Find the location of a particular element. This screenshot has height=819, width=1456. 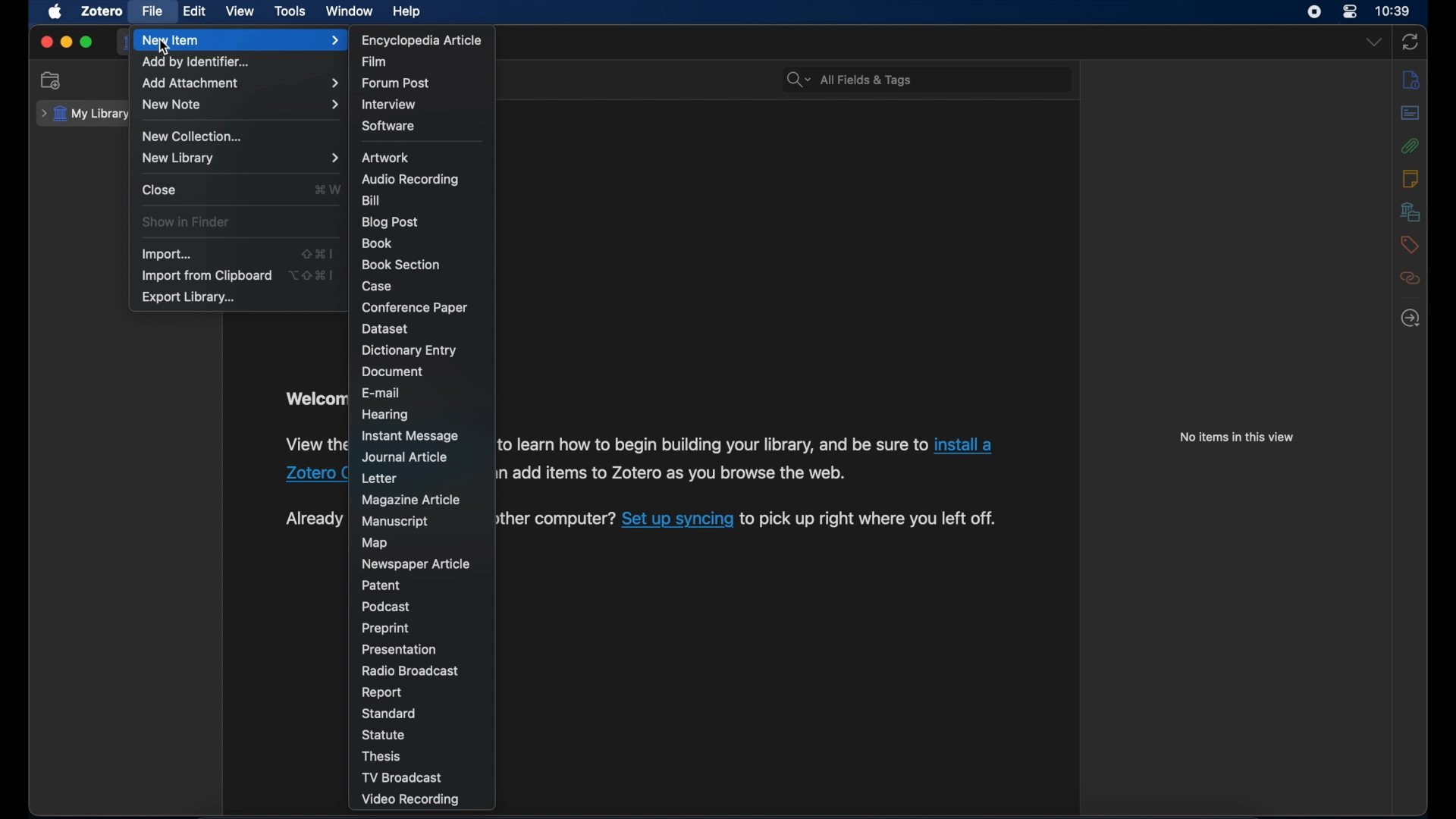

tv broadcast is located at coordinates (423, 777).